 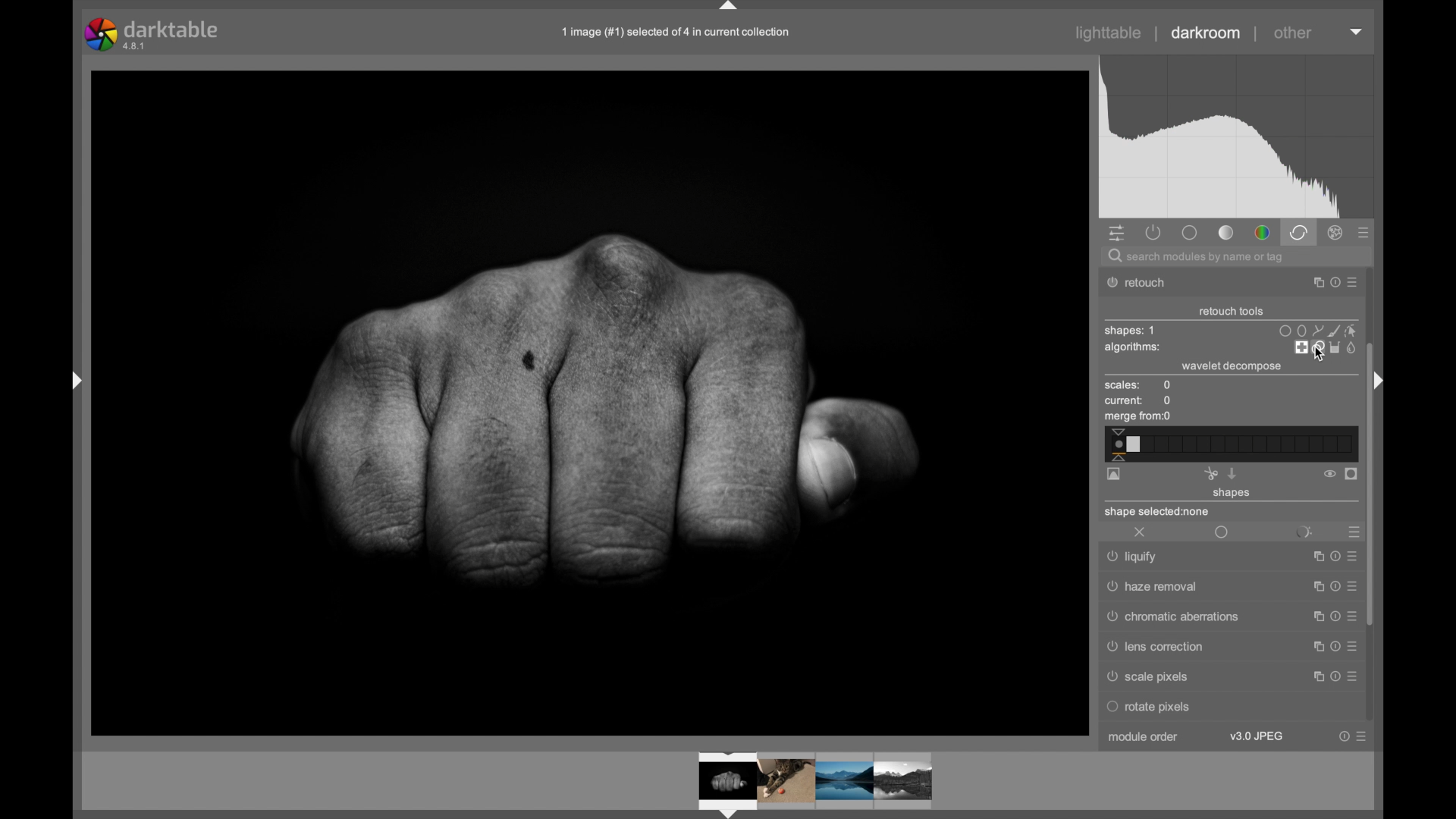 I want to click on more options, so click(x=1353, y=284).